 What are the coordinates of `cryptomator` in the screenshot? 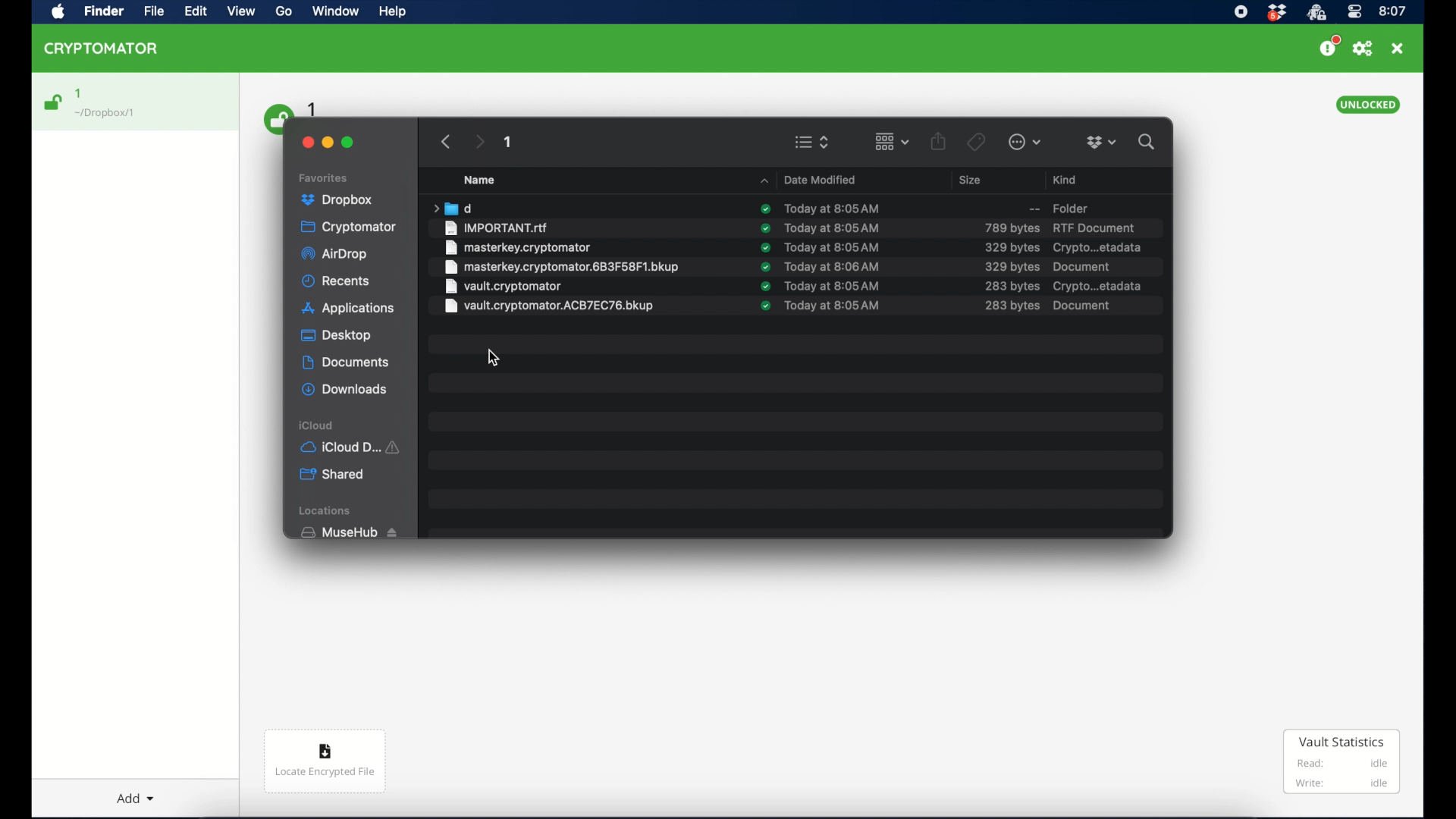 It's located at (350, 227).